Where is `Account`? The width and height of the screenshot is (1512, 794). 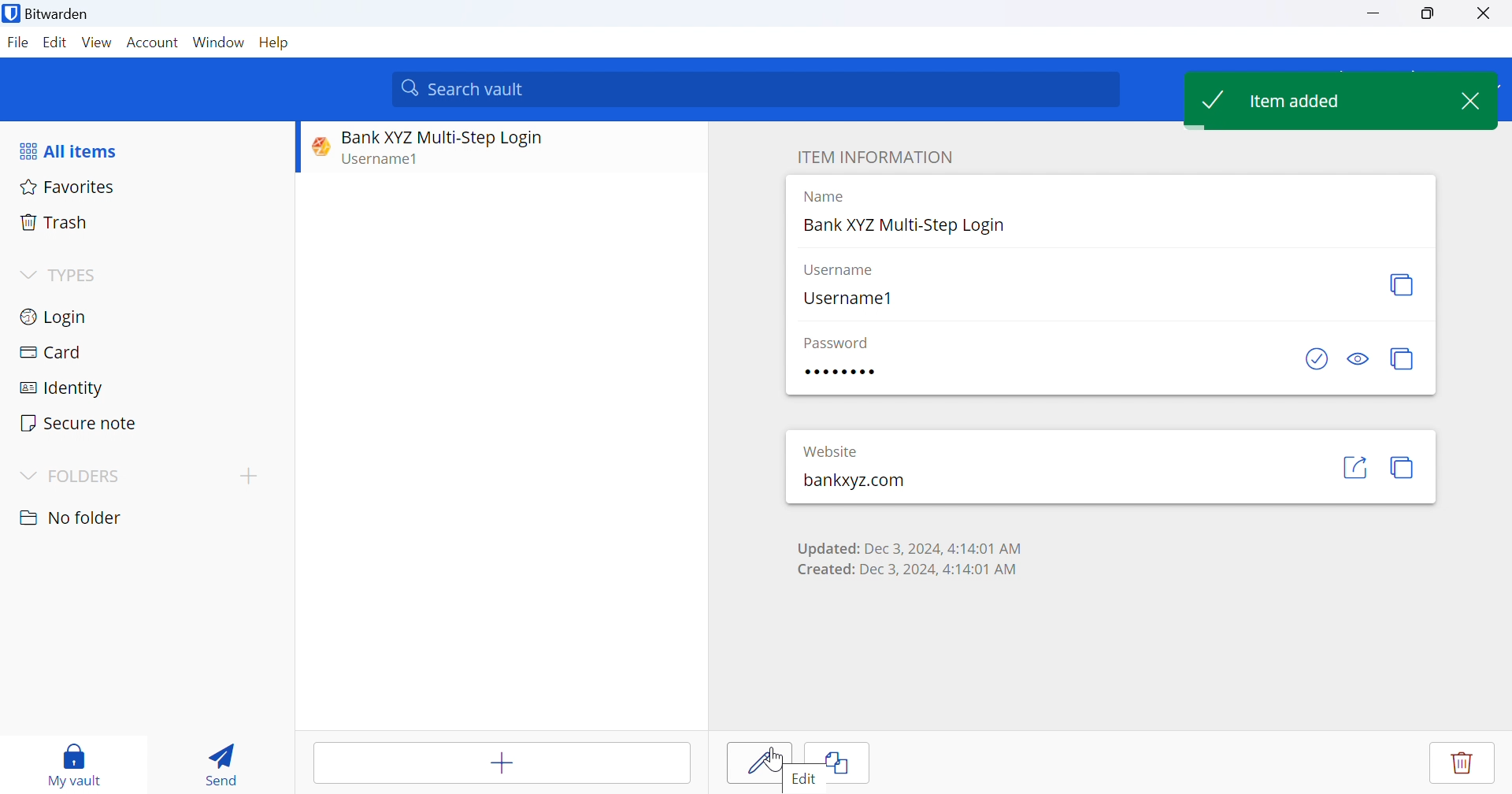
Account is located at coordinates (154, 43).